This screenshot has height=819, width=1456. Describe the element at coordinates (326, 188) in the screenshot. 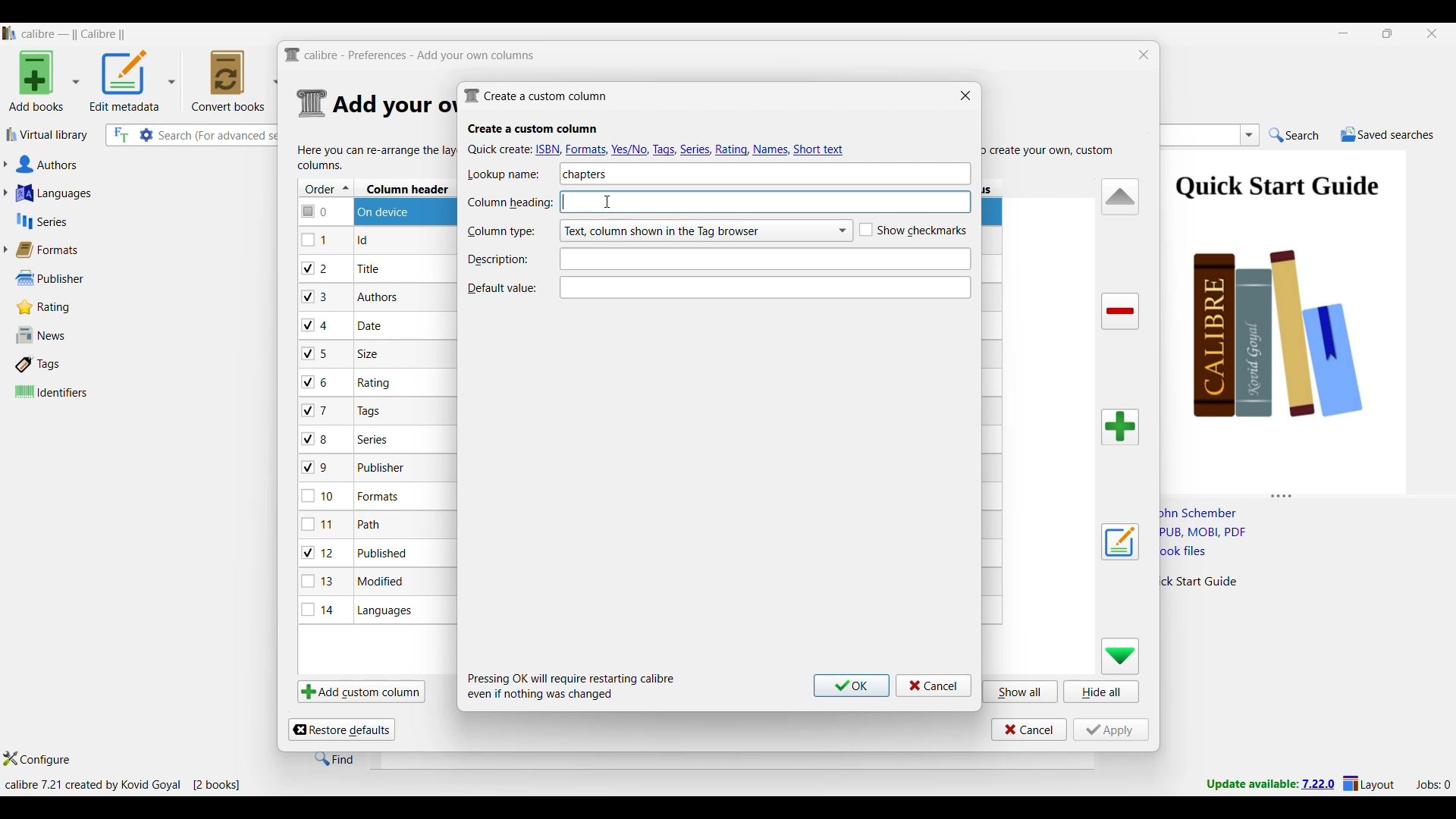

I see `Order column, current sorting` at that location.